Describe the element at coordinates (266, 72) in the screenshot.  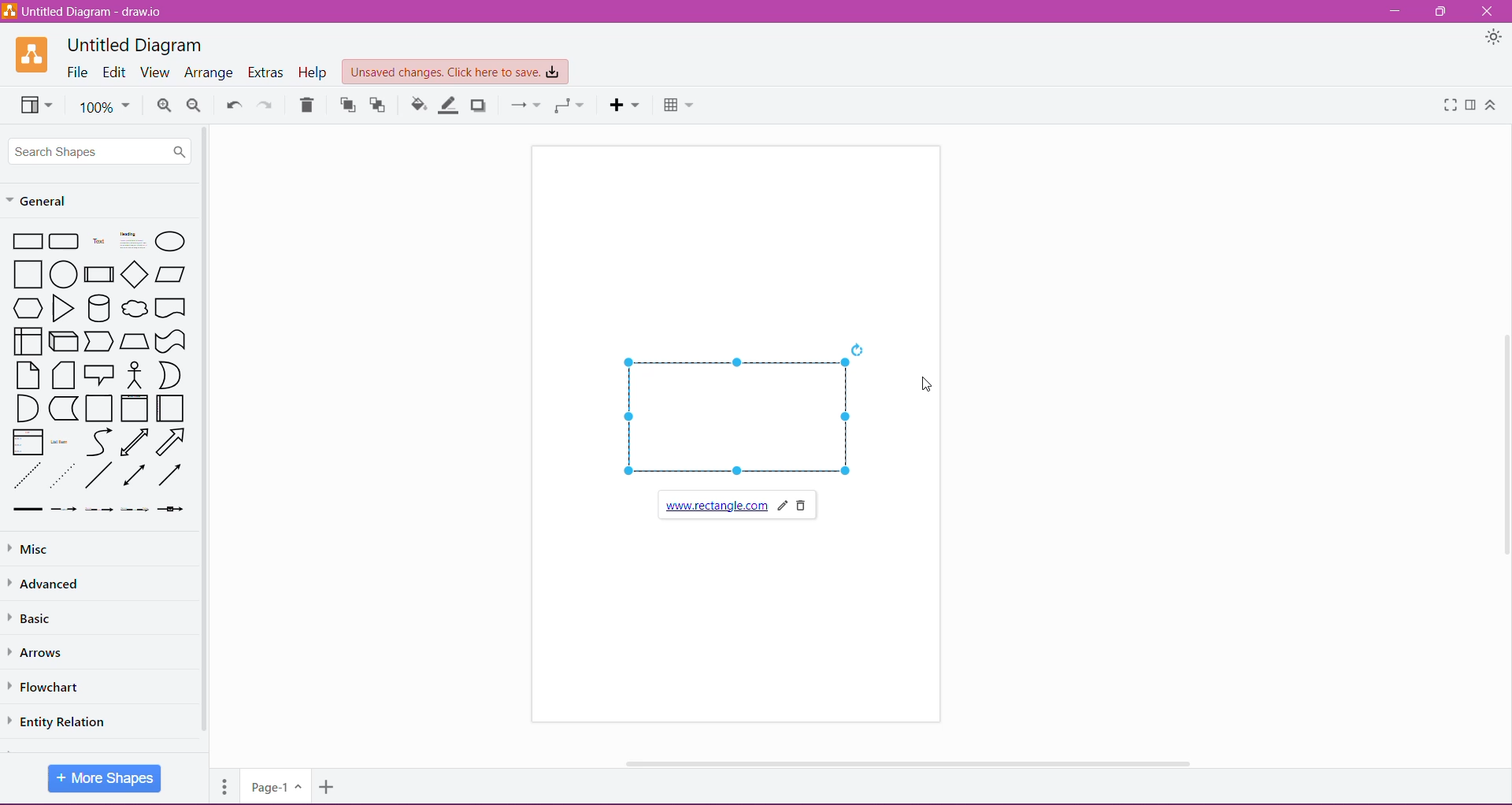
I see `Extras` at that location.